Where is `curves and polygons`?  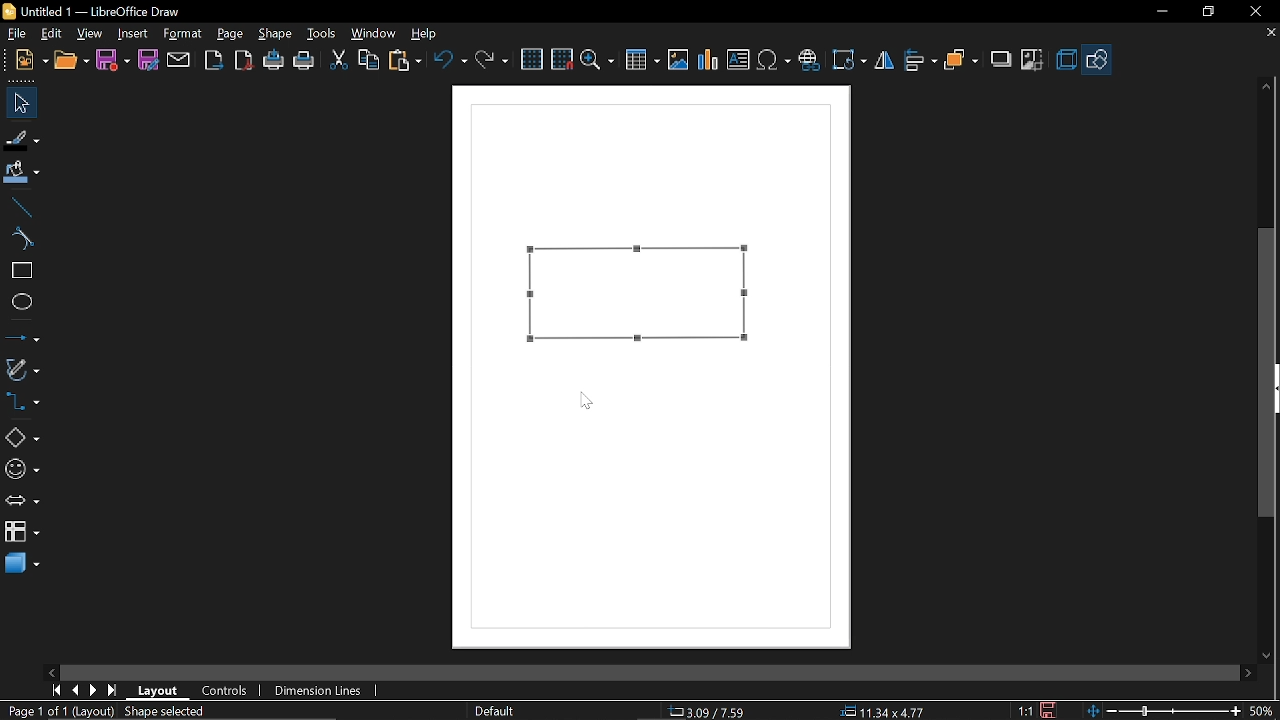 curves and polygons is located at coordinates (22, 367).